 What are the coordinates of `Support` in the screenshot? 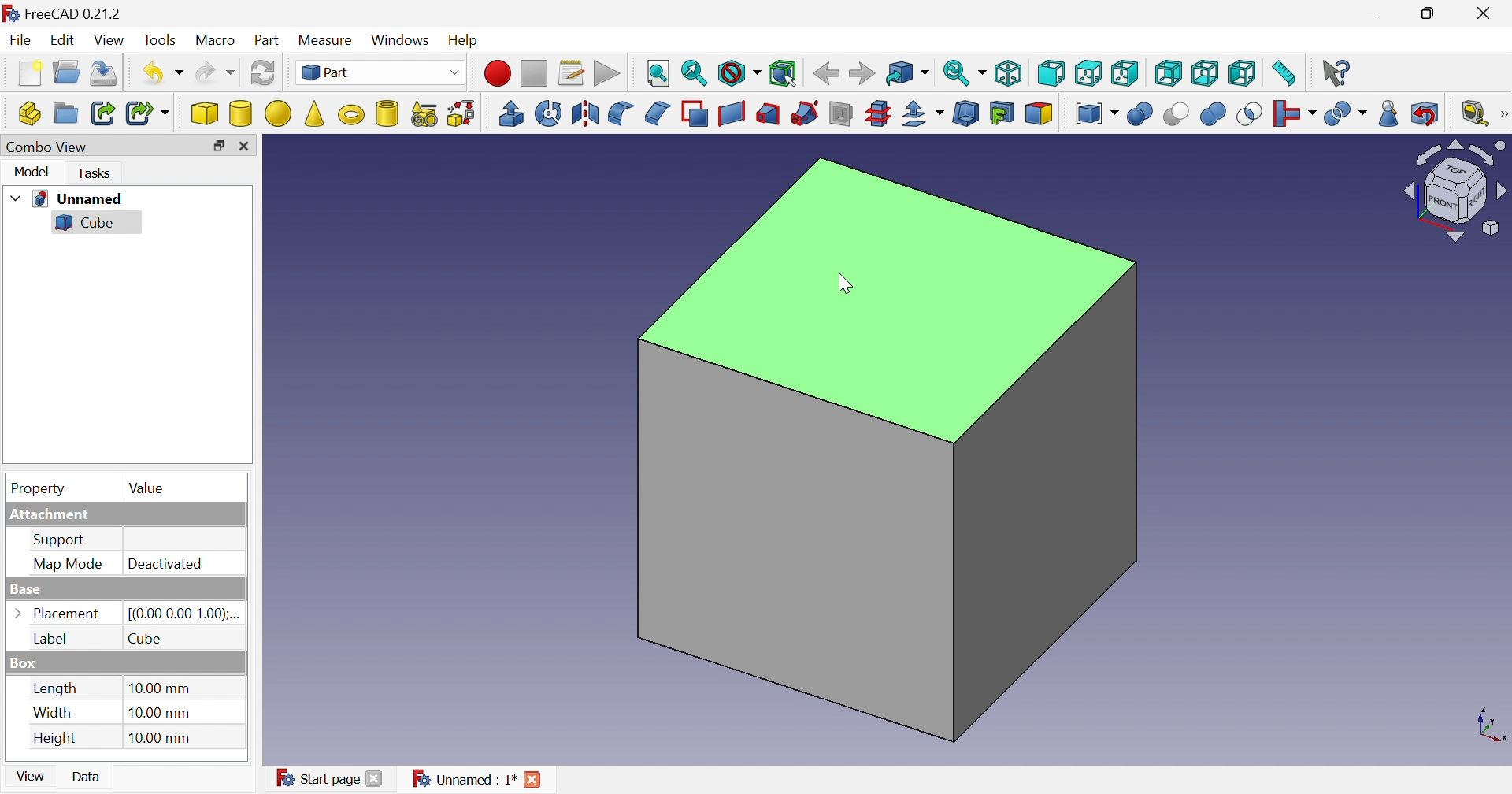 It's located at (65, 540).